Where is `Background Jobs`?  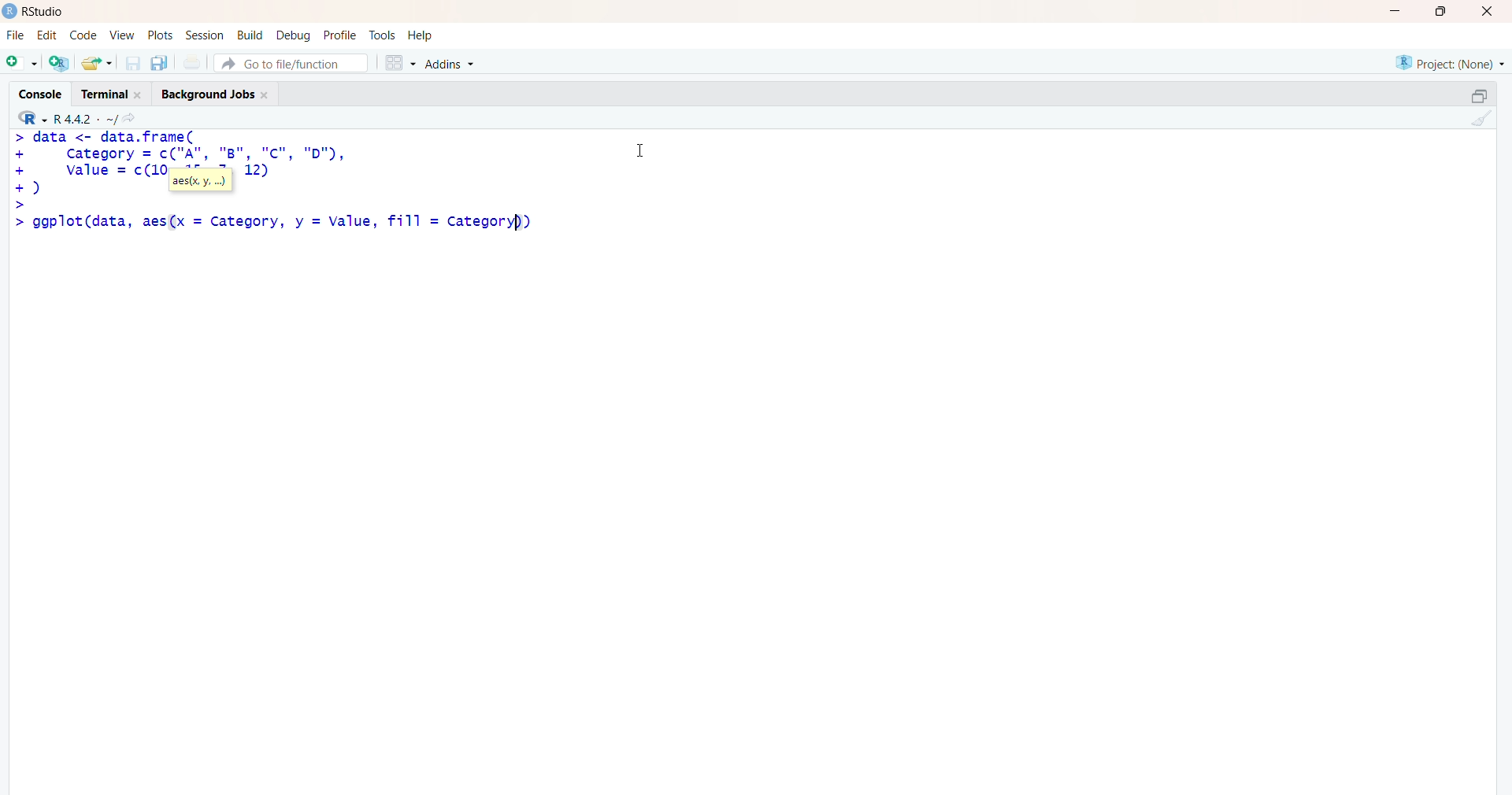
Background Jobs is located at coordinates (214, 91).